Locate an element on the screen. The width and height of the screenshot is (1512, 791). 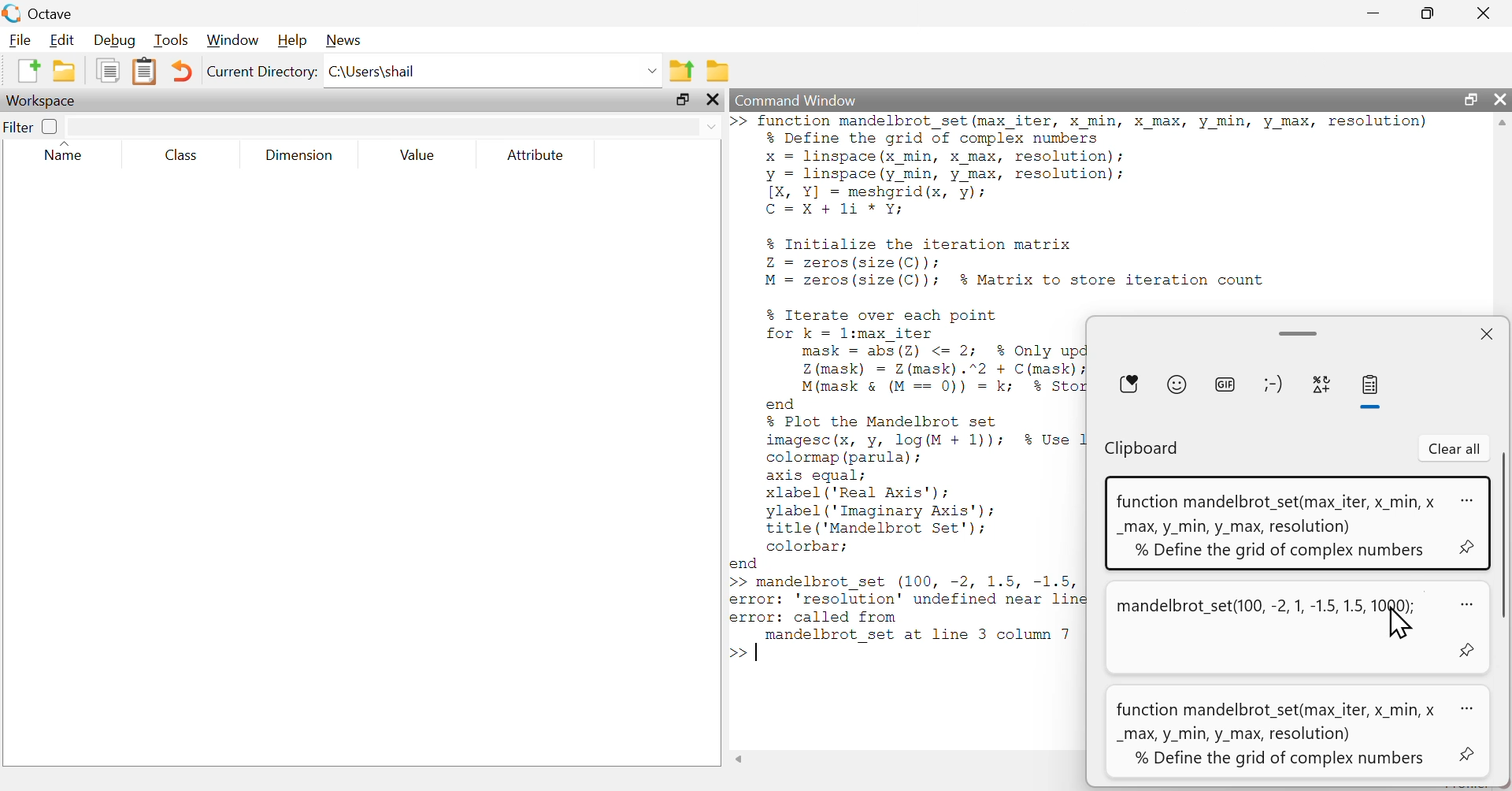
>> Iunction mandelbrot_set (max_1ter, X min, X max, y min, y max, resolution)
% Define the grid of complex numbers
x linspace(x_min, x max, resolution);
y Deine (y_min, y max, resolution);
[X, Y] = meshgrid(x, y);
C=X+1i *Y;
% Initialize the iteration matrix
Z = zeros (size(C)):
M = zeros (size(C)); % Matrix to store iteration count
% Iterate over each point
for k = l:max iter
mask = abs(2Z) <= 2; % Only update points inside the radius
Z (mask) = Z(mask).”2 + C(mask);
M(mask & (M == 0)) = k; % Store first escape iteration
end
% Plot the Mandelbrot set
imagesc(x, y, log(M + 1)); $% Use logarithm for better contrast
colormap (parula) ;
axis equal;
xlabel ('Real Axis');
ylabel ('Imaginary Axis');
title ('Mandelbrot Set'):
colorbar;
end
>> mandelbrot_set (100, -2, 1.5, -1.5, 1000);
error: 'resolution' undefined near line 3, column 32
error: called from
| randelprot_set at line 3 column 7
>> is located at coordinates (904, 387).